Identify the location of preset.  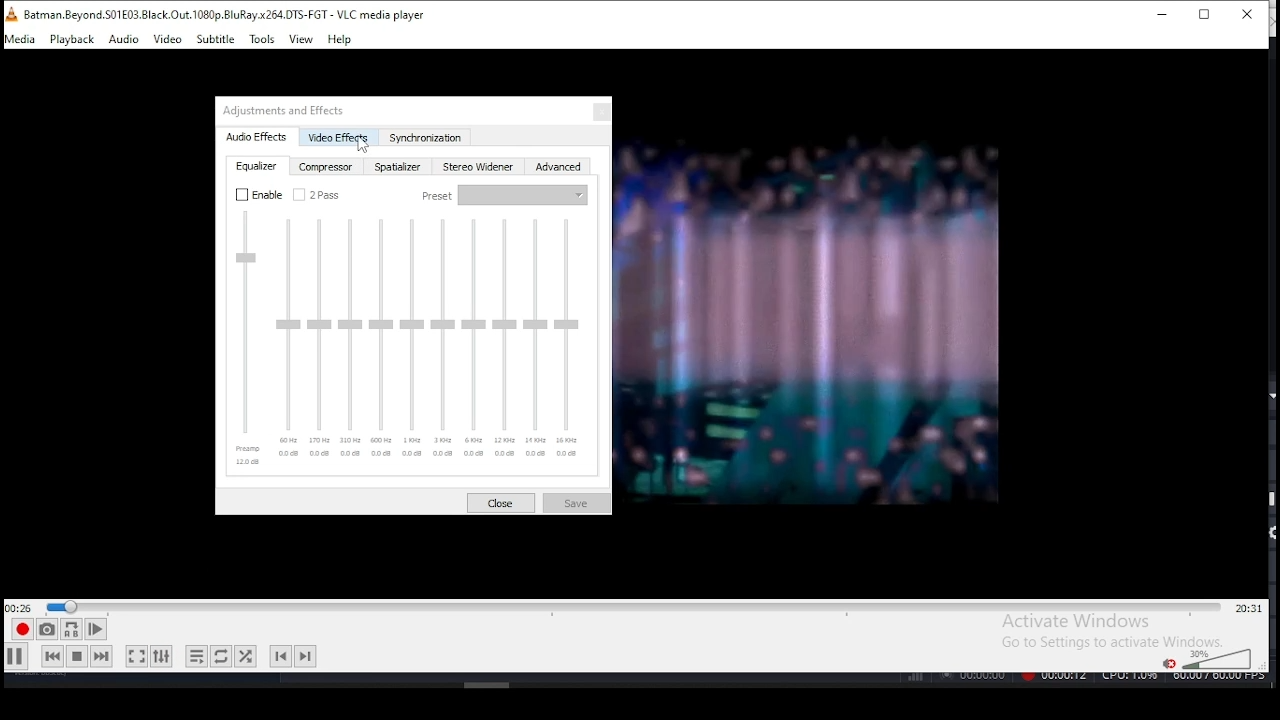
(502, 196).